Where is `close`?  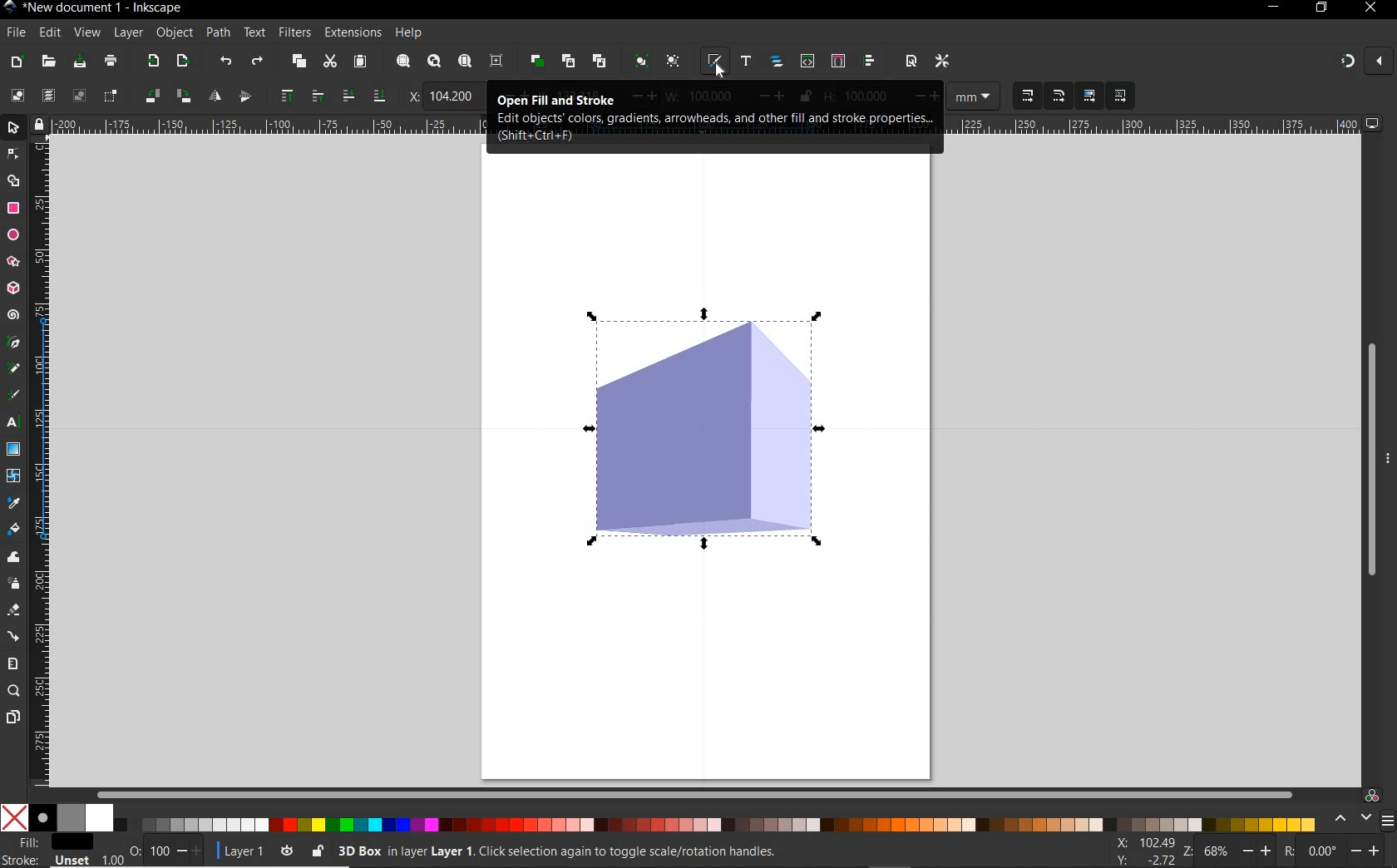 close is located at coordinates (1381, 62).